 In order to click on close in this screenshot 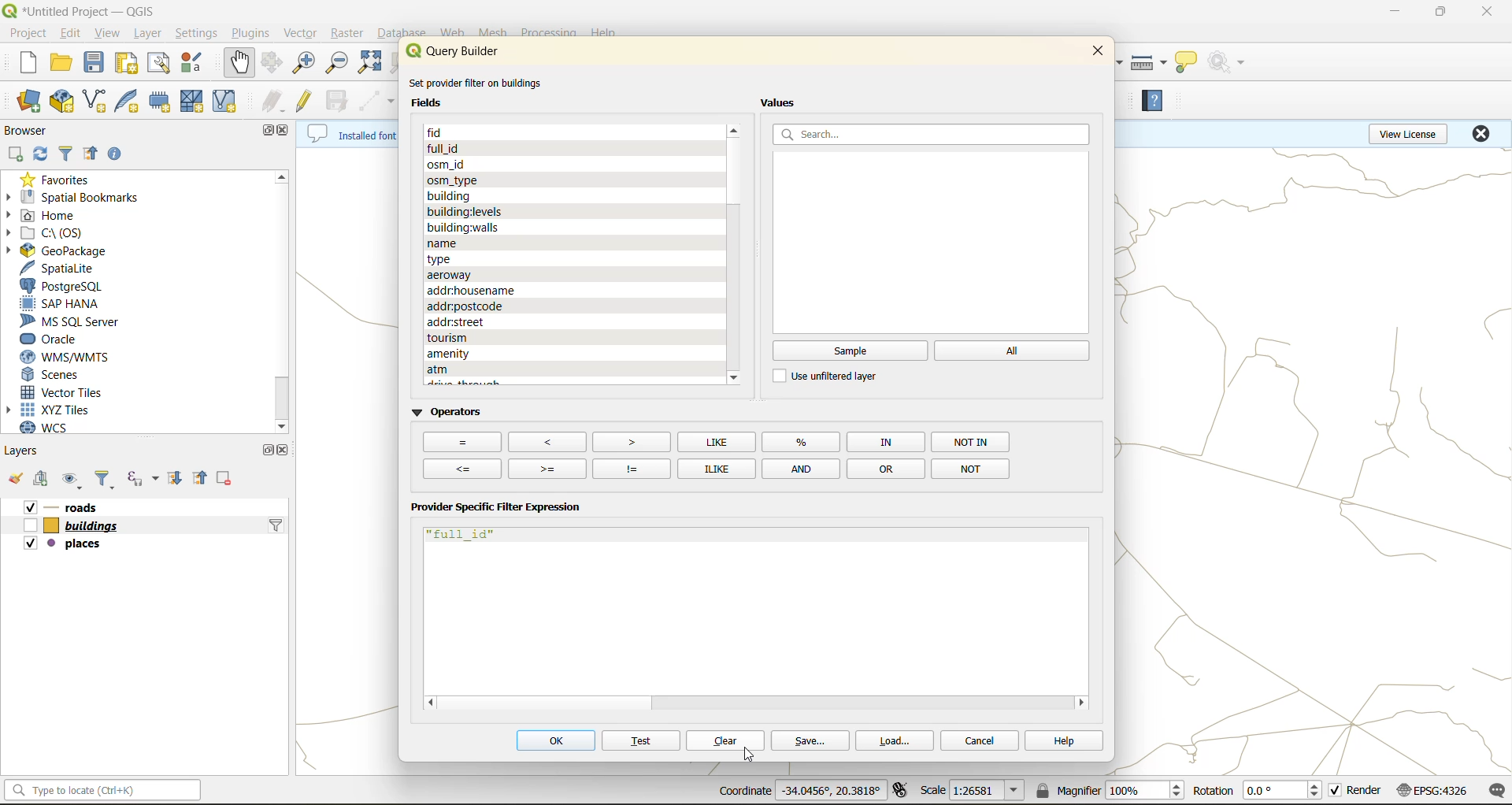, I will do `click(1488, 11)`.